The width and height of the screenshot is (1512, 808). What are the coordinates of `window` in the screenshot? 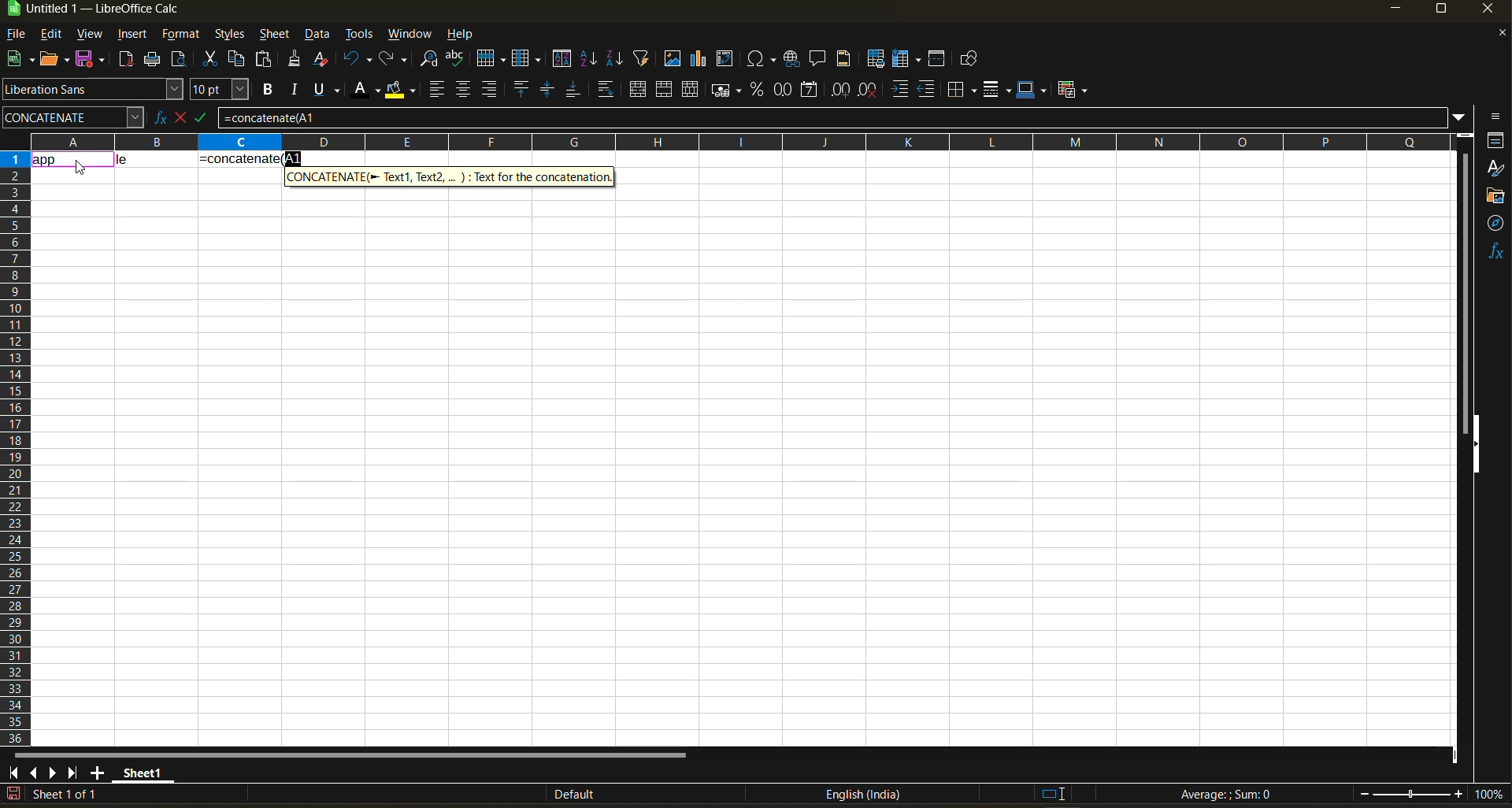 It's located at (411, 34).